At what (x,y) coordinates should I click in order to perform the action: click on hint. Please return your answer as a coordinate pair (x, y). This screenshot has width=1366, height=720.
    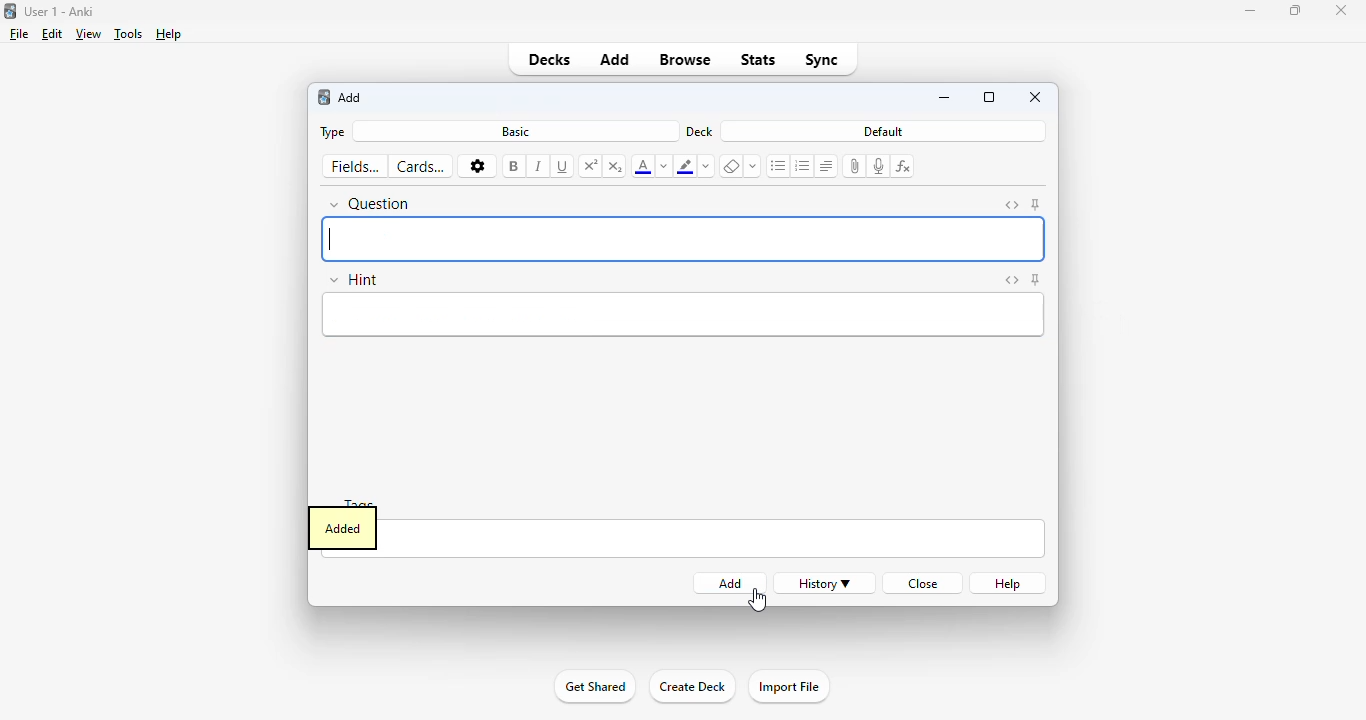
    Looking at the image, I should click on (686, 316).